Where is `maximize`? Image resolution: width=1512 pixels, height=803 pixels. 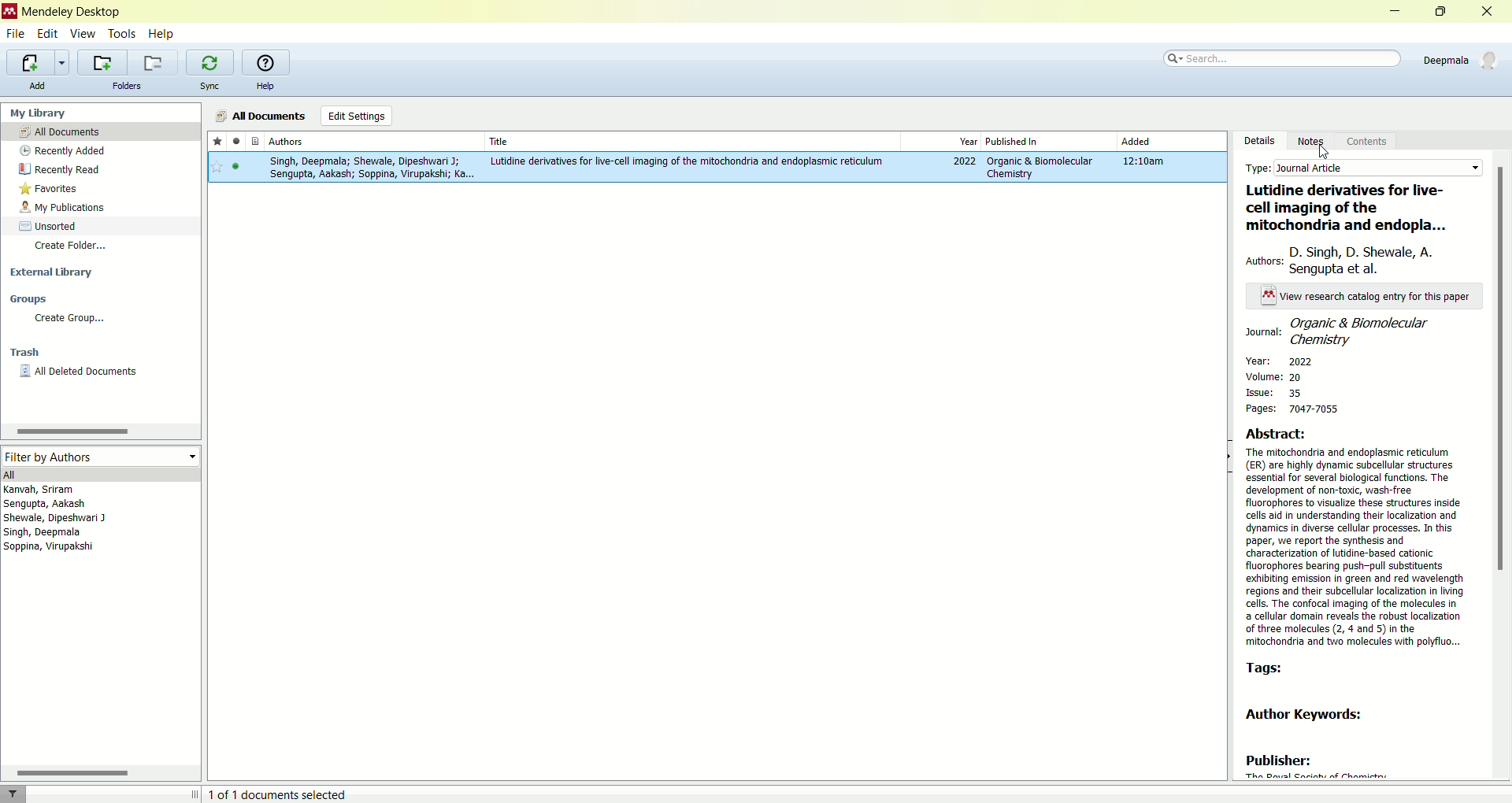
maximize is located at coordinates (1442, 10).